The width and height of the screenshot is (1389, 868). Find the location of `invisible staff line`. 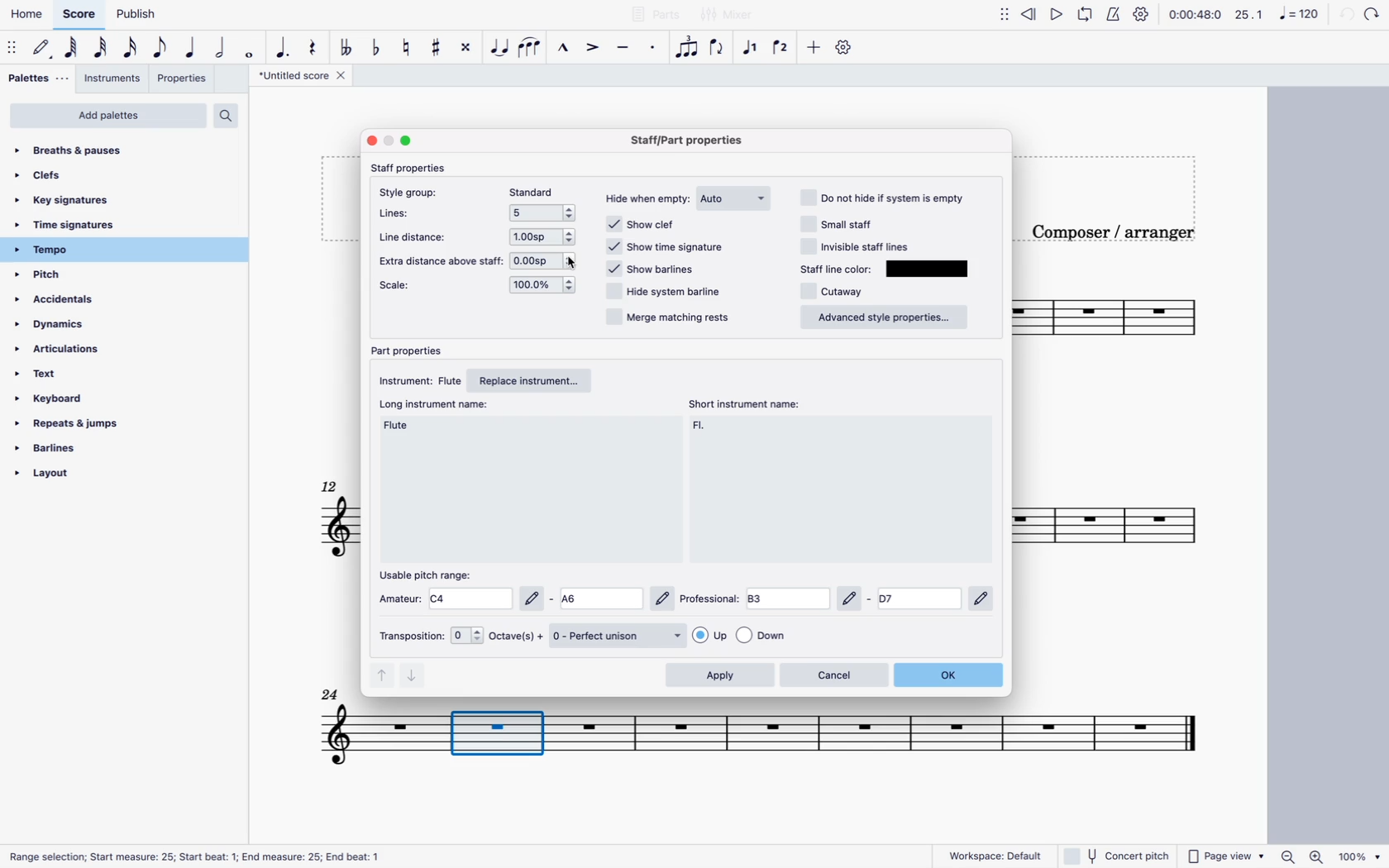

invisible staff line is located at coordinates (857, 246).